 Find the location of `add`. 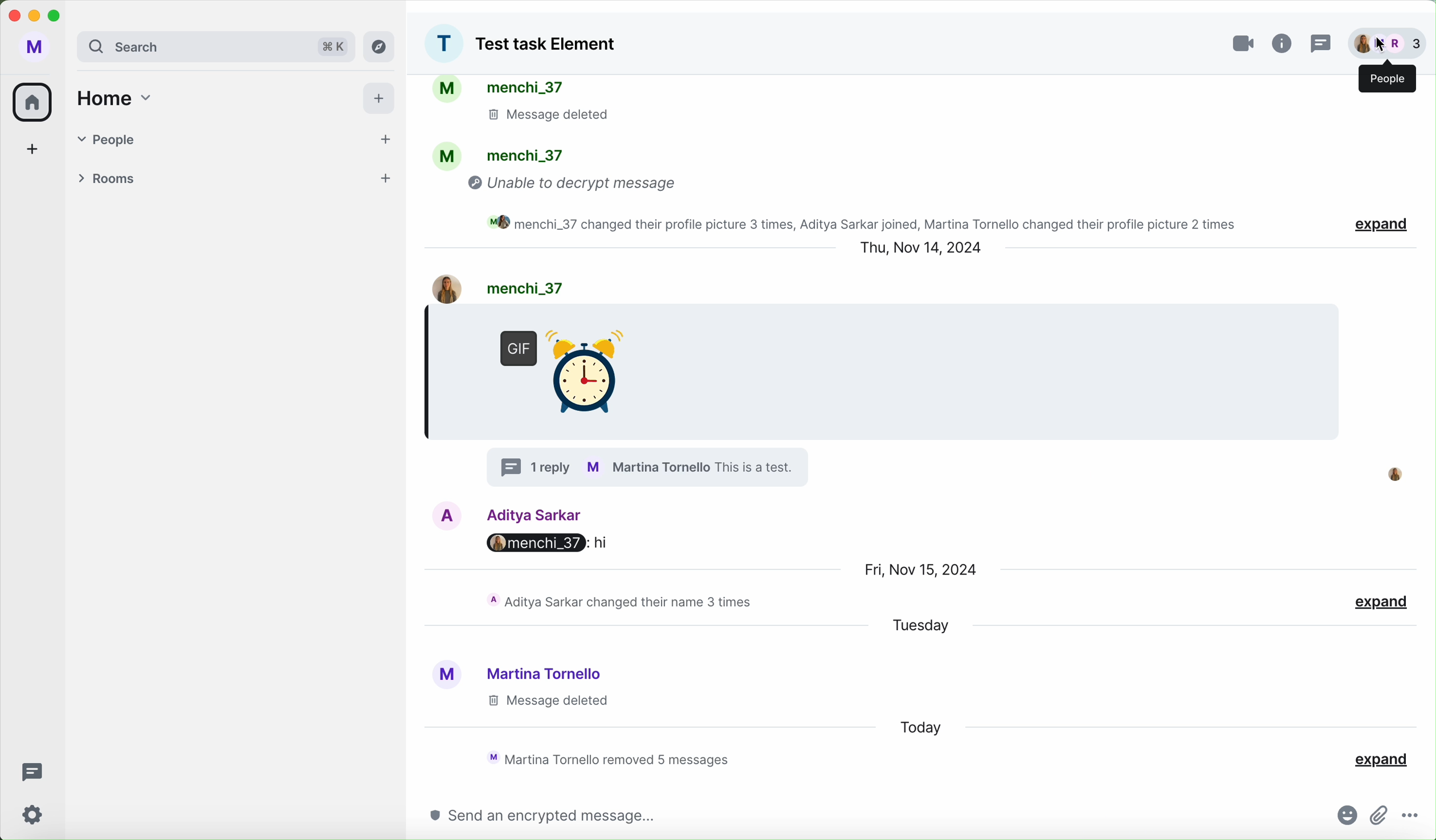

add is located at coordinates (386, 140).